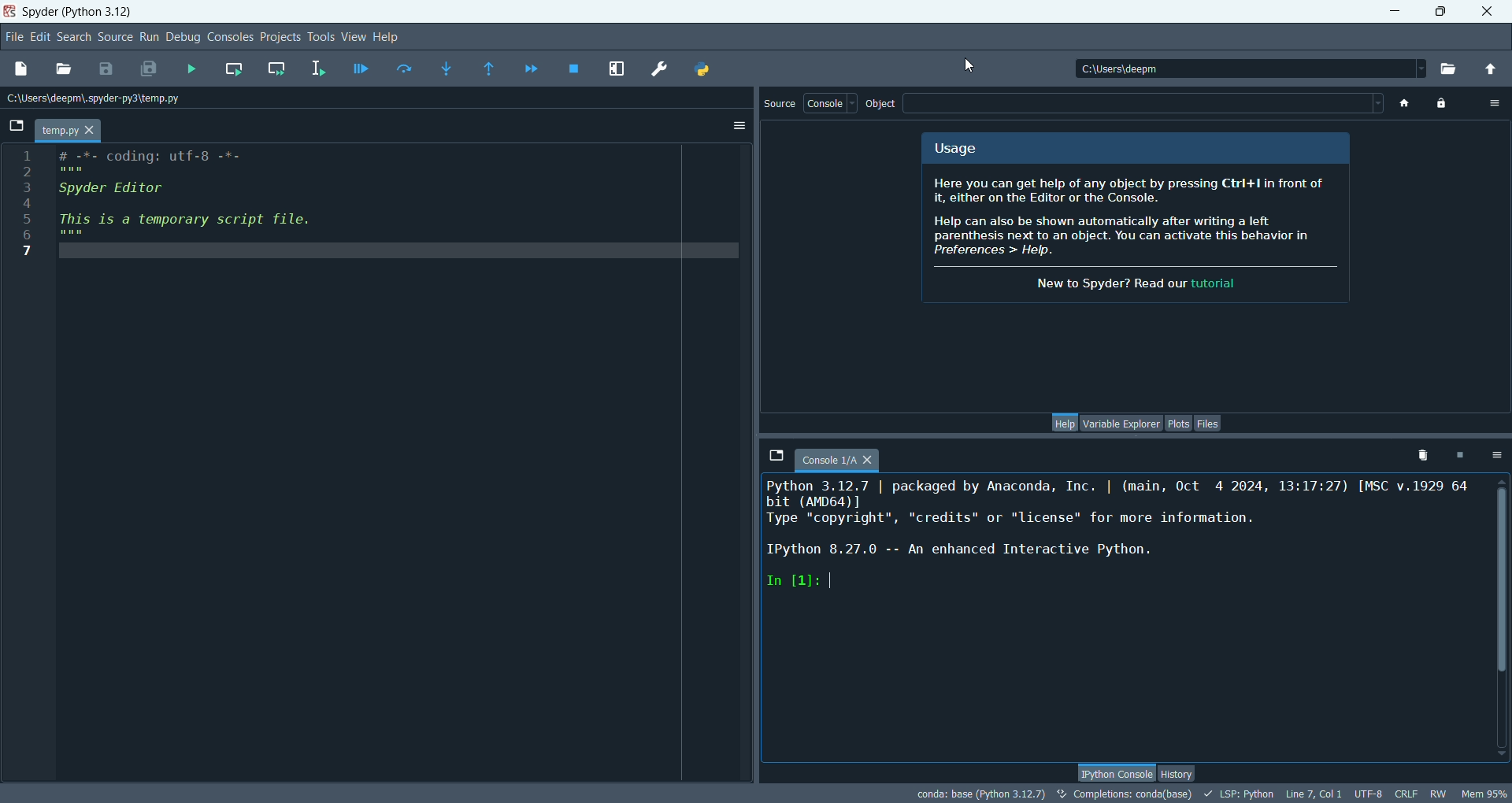  What do you see at coordinates (68, 68) in the screenshot?
I see `open` at bounding box center [68, 68].